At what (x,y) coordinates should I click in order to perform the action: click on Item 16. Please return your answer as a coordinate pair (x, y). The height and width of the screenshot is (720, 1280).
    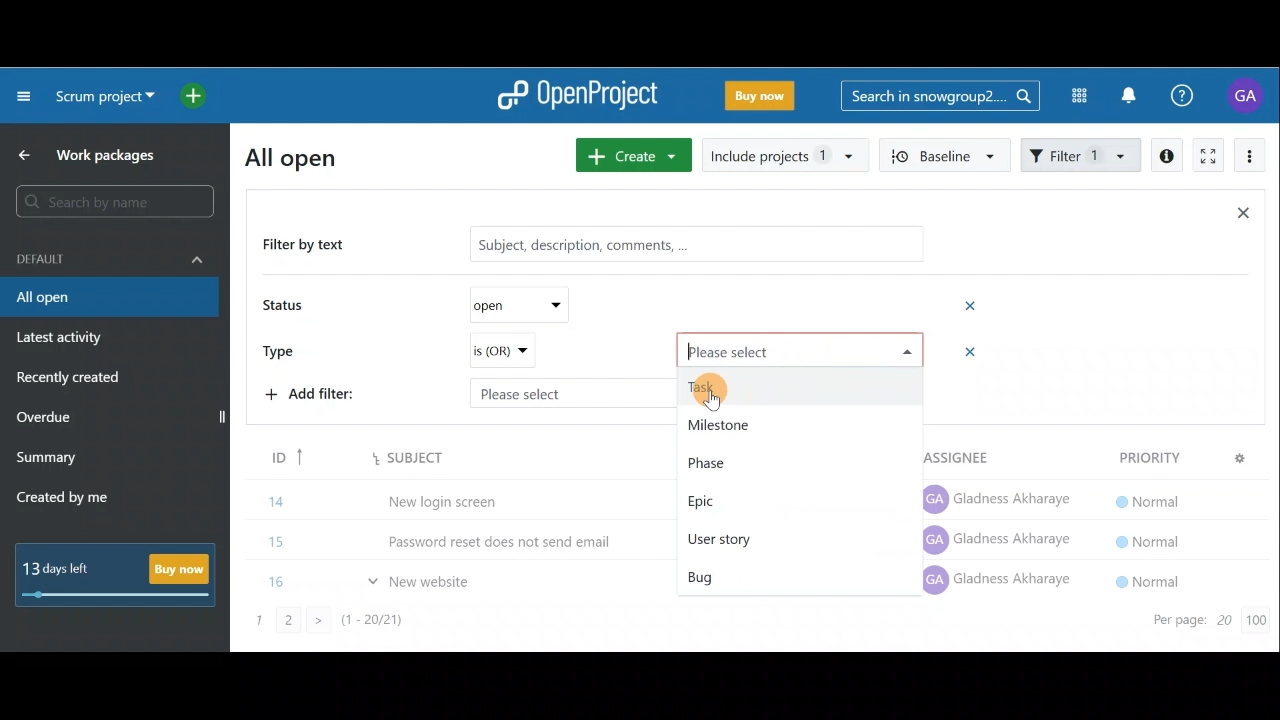
    Looking at the image, I should click on (378, 580).